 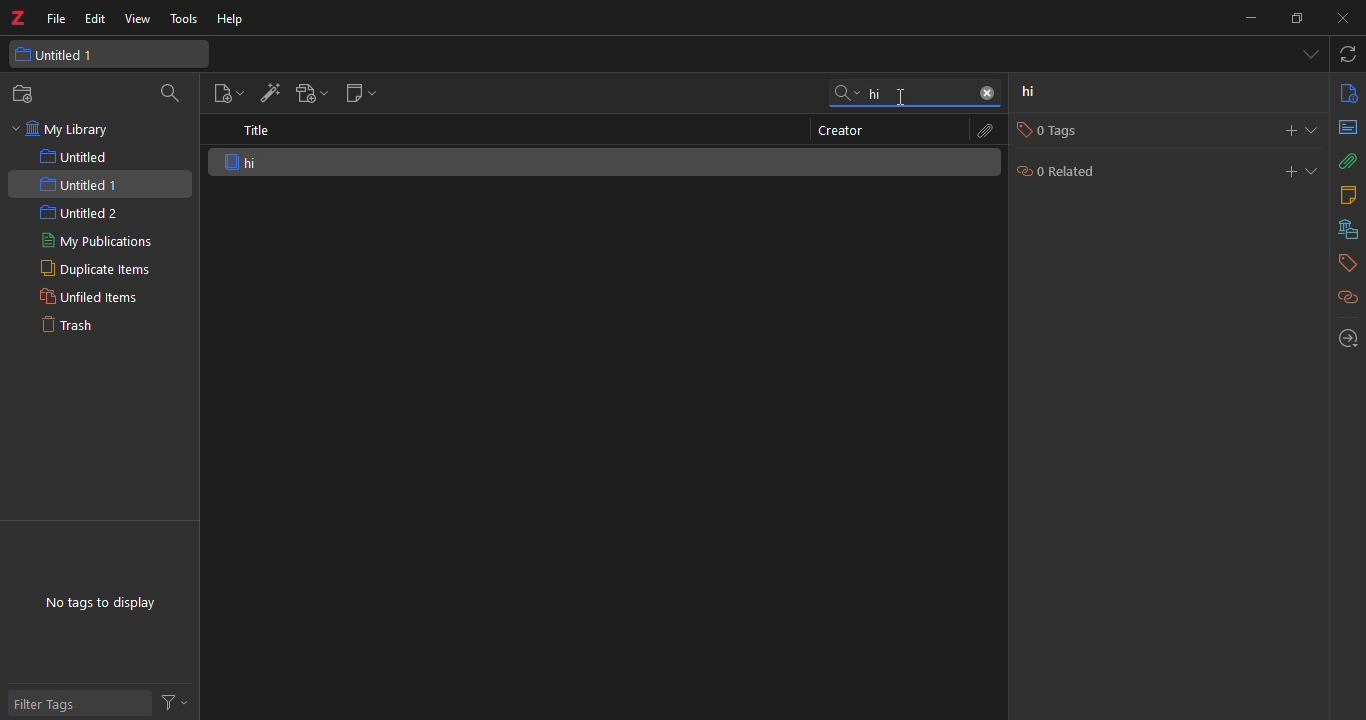 What do you see at coordinates (51, 704) in the screenshot?
I see `filter tags` at bounding box center [51, 704].